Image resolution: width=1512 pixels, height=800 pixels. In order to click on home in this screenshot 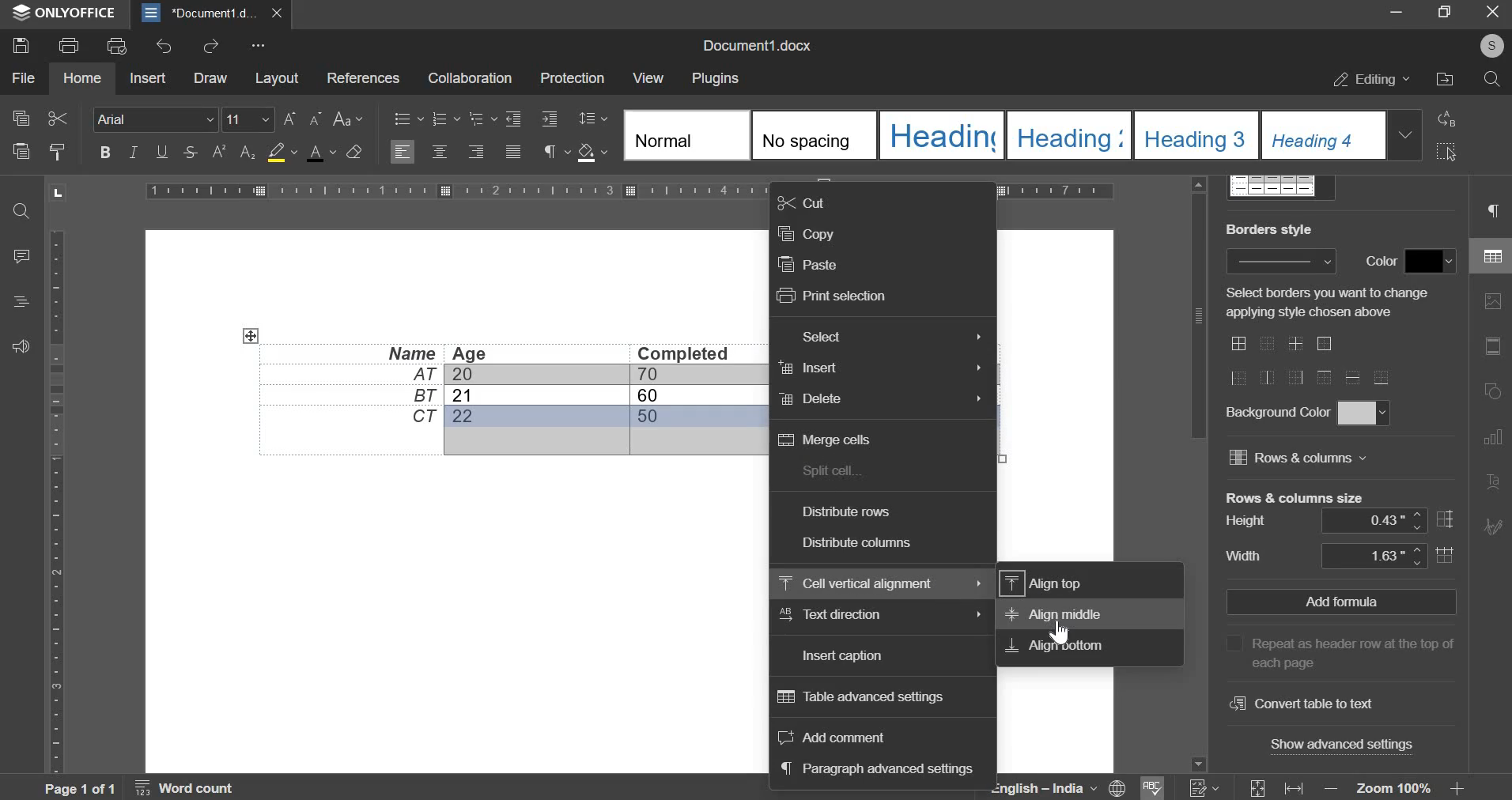, I will do `click(81, 77)`.